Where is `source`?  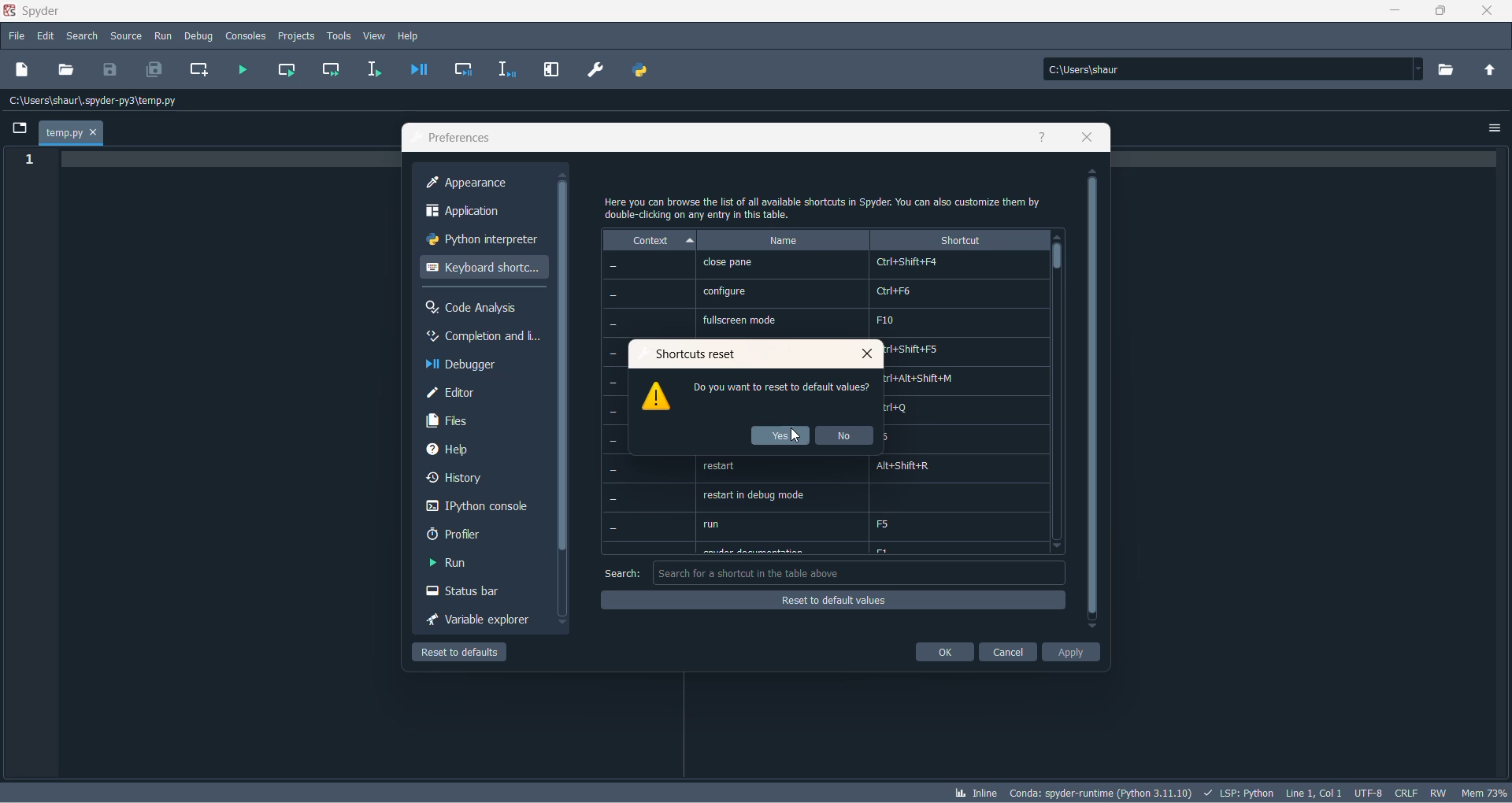 source is located at coordinates (124, 36).